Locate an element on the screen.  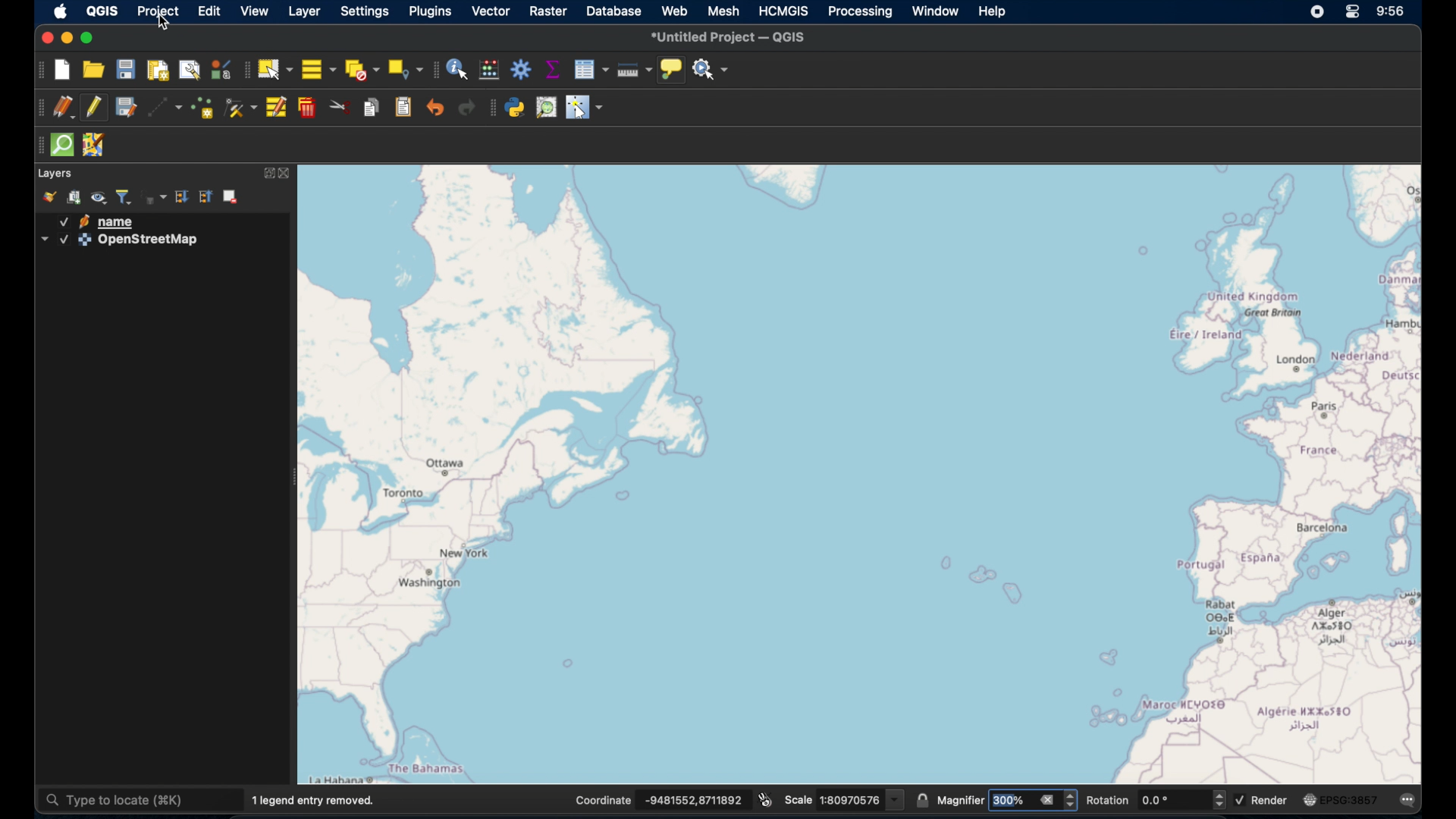
mesh is located at coordinates (723, 11).